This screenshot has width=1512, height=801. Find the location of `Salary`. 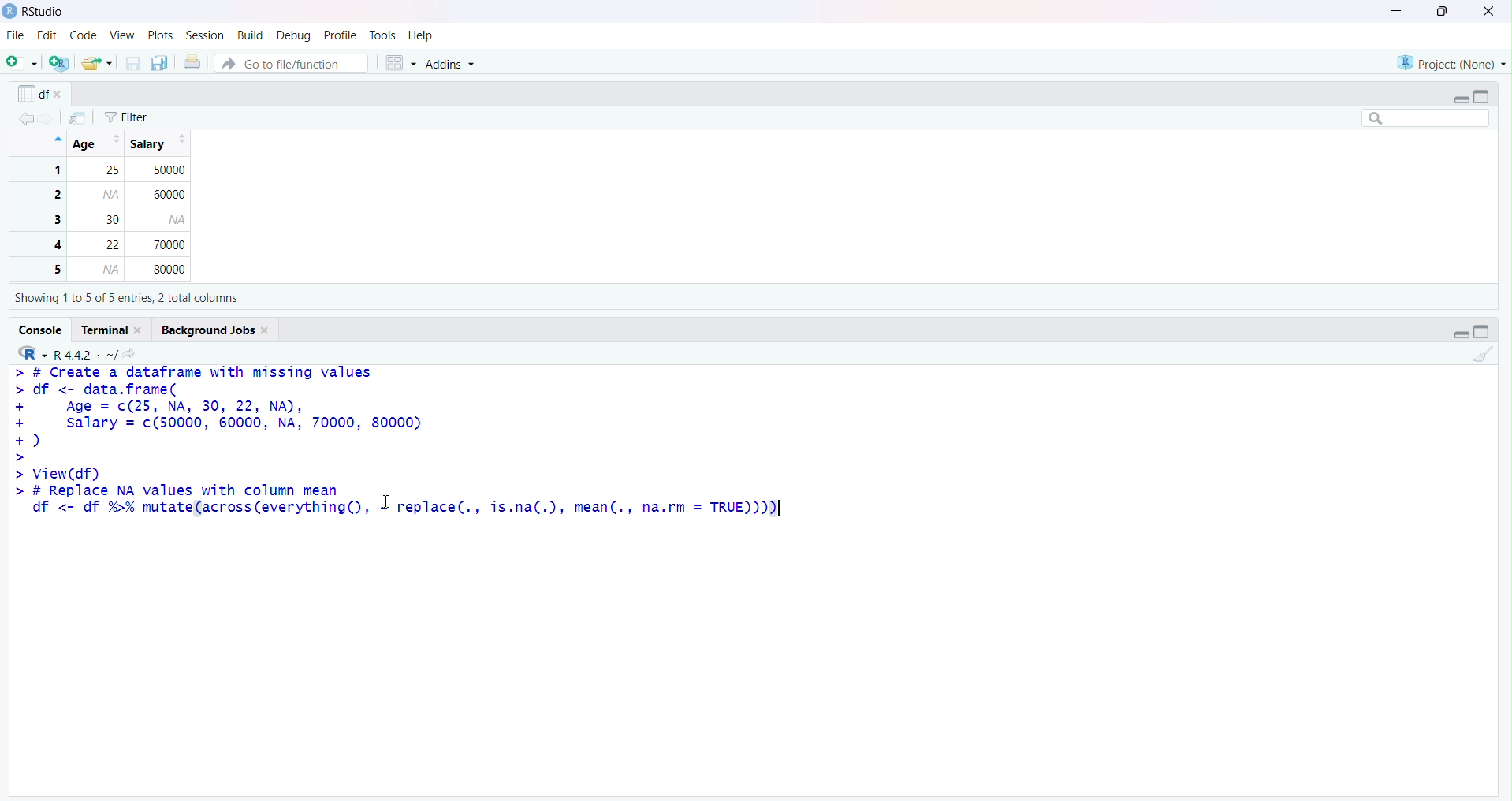

Salary is located at coordinates (155, 141).